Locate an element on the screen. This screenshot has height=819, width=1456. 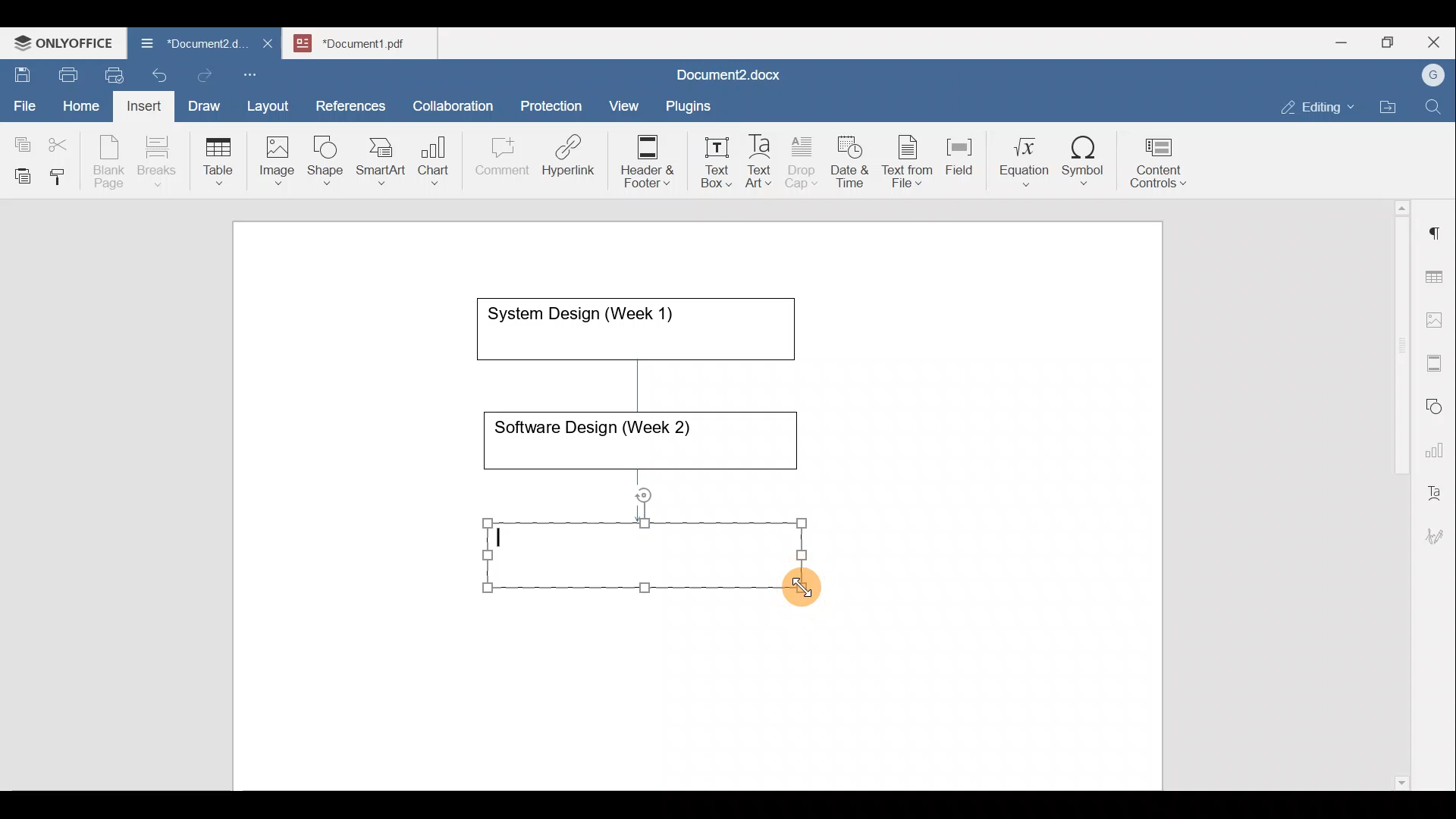
Insert is located at coordinates (140, 103).